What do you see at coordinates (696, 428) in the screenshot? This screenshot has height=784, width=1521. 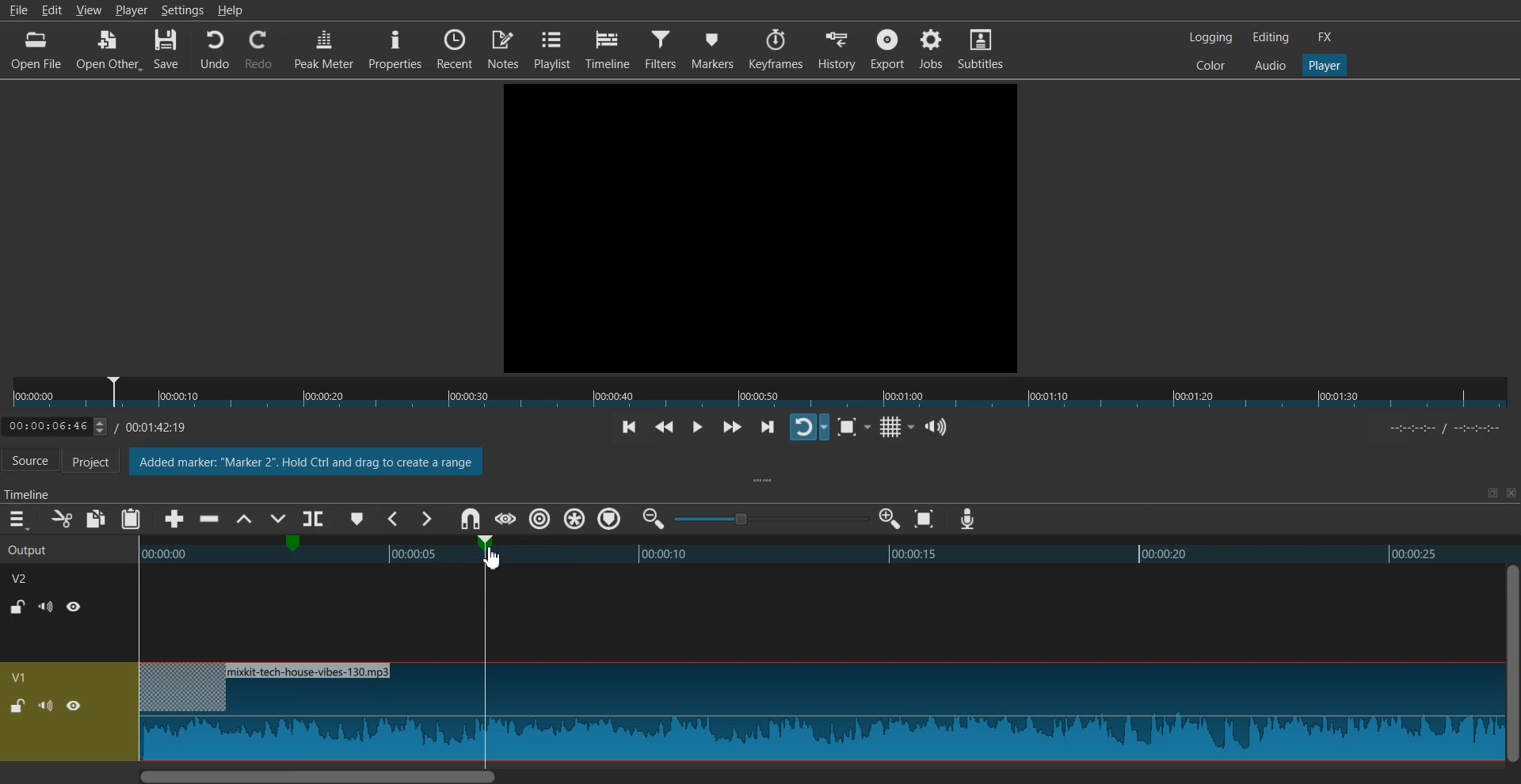 I see `Toggle play or pause` at bounding box center [696, 428].